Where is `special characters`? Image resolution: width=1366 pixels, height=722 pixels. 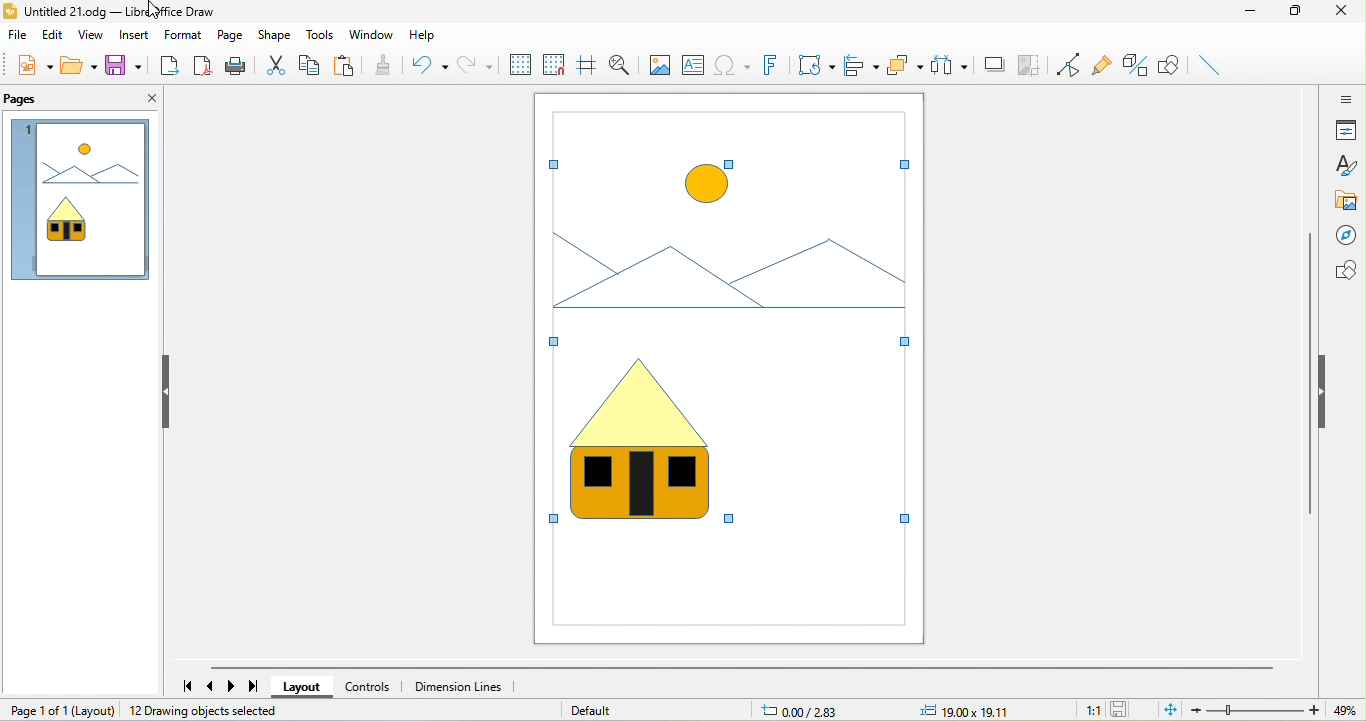 special characters is located at coordinates (733, 65).